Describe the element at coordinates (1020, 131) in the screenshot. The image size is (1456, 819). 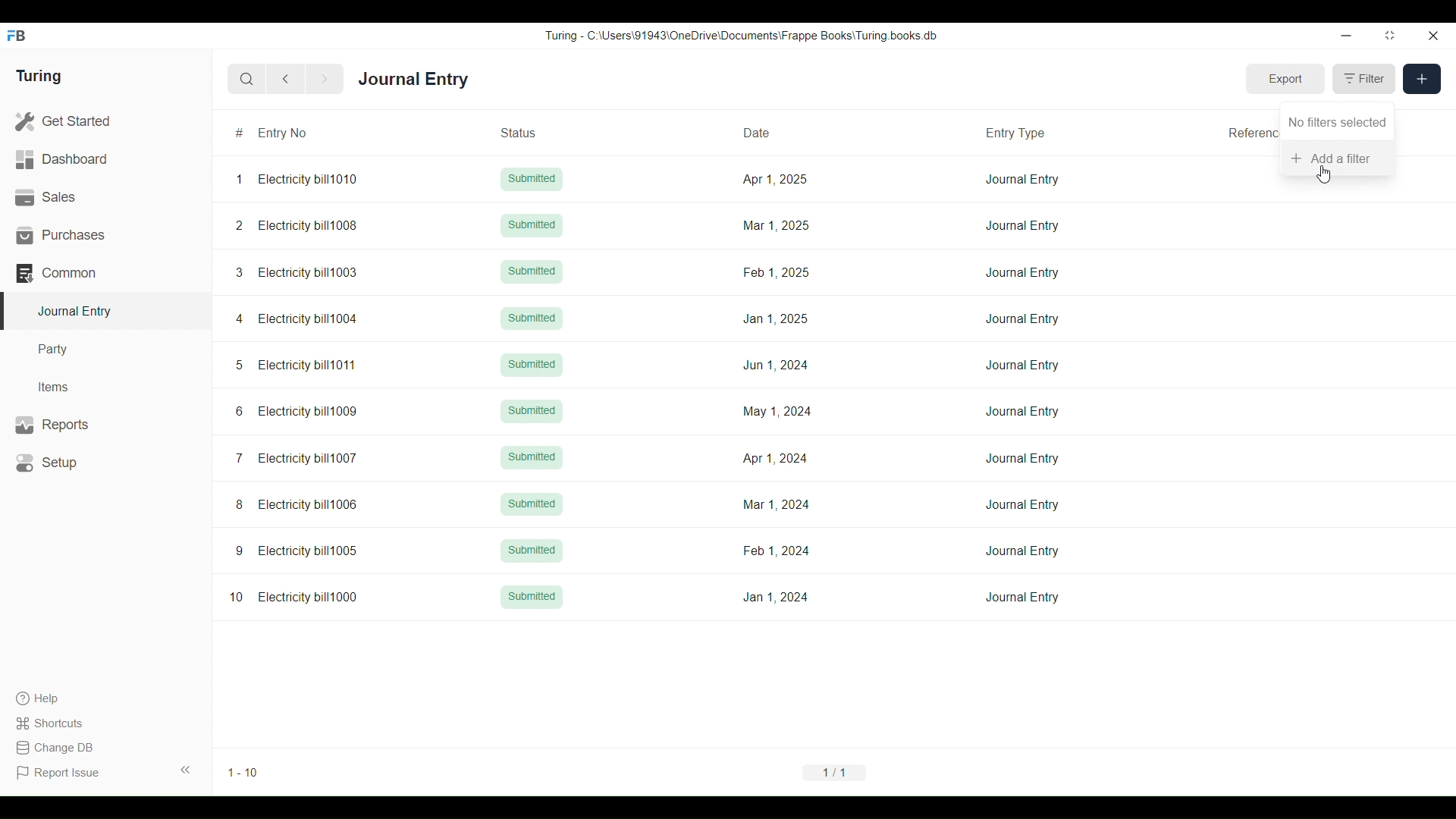
I see `Entry Type` at that location.